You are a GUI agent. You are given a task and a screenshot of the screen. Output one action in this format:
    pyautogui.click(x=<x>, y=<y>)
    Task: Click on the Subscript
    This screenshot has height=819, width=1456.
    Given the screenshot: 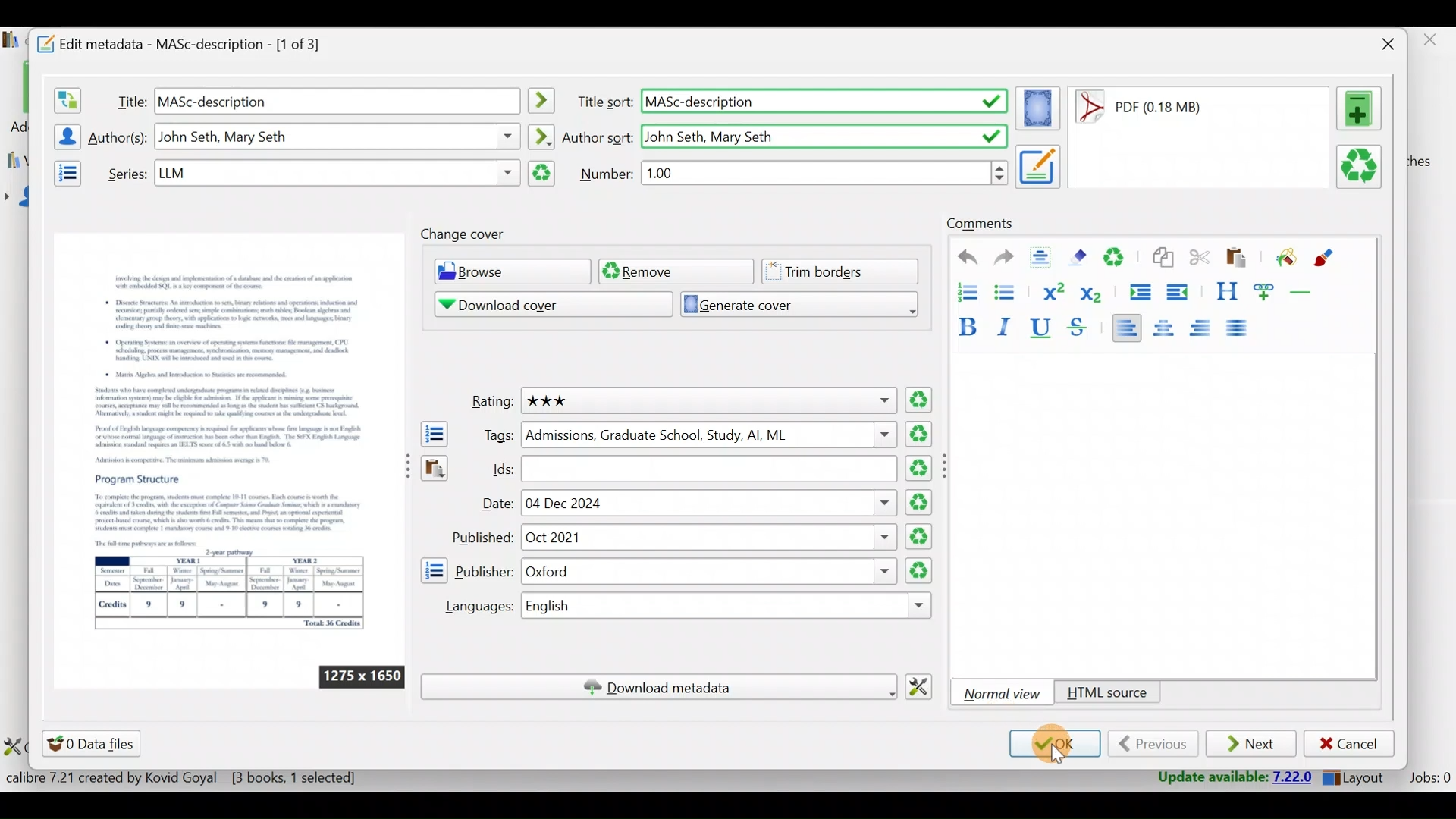 What is the action you would take?
    pyautogui.click(x=1094, y=293)
    